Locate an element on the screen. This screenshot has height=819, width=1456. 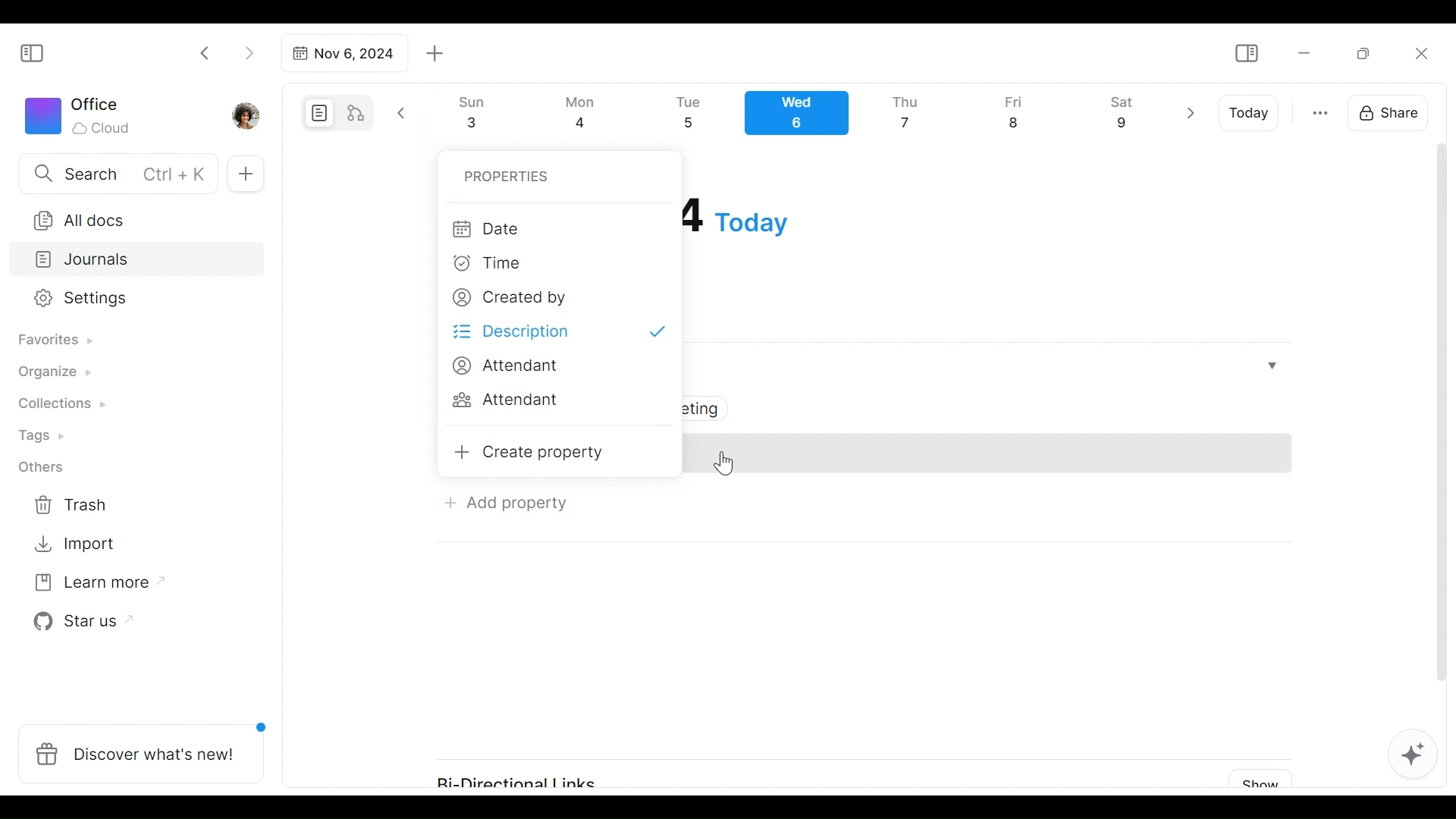
Edgeless mode is located at coordinates (357, 112).